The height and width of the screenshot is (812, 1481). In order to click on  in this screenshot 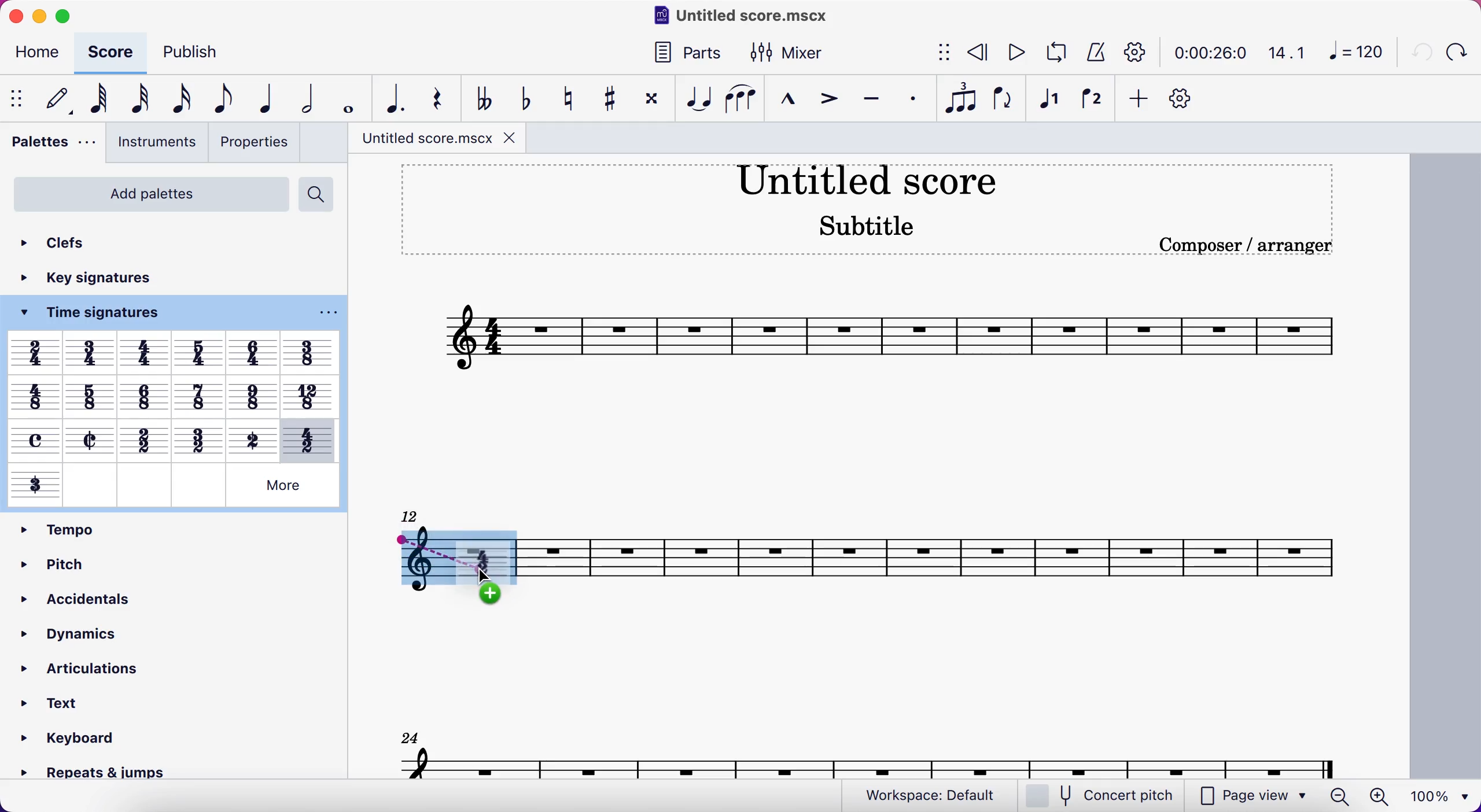, I will do `click(142, 485)`.